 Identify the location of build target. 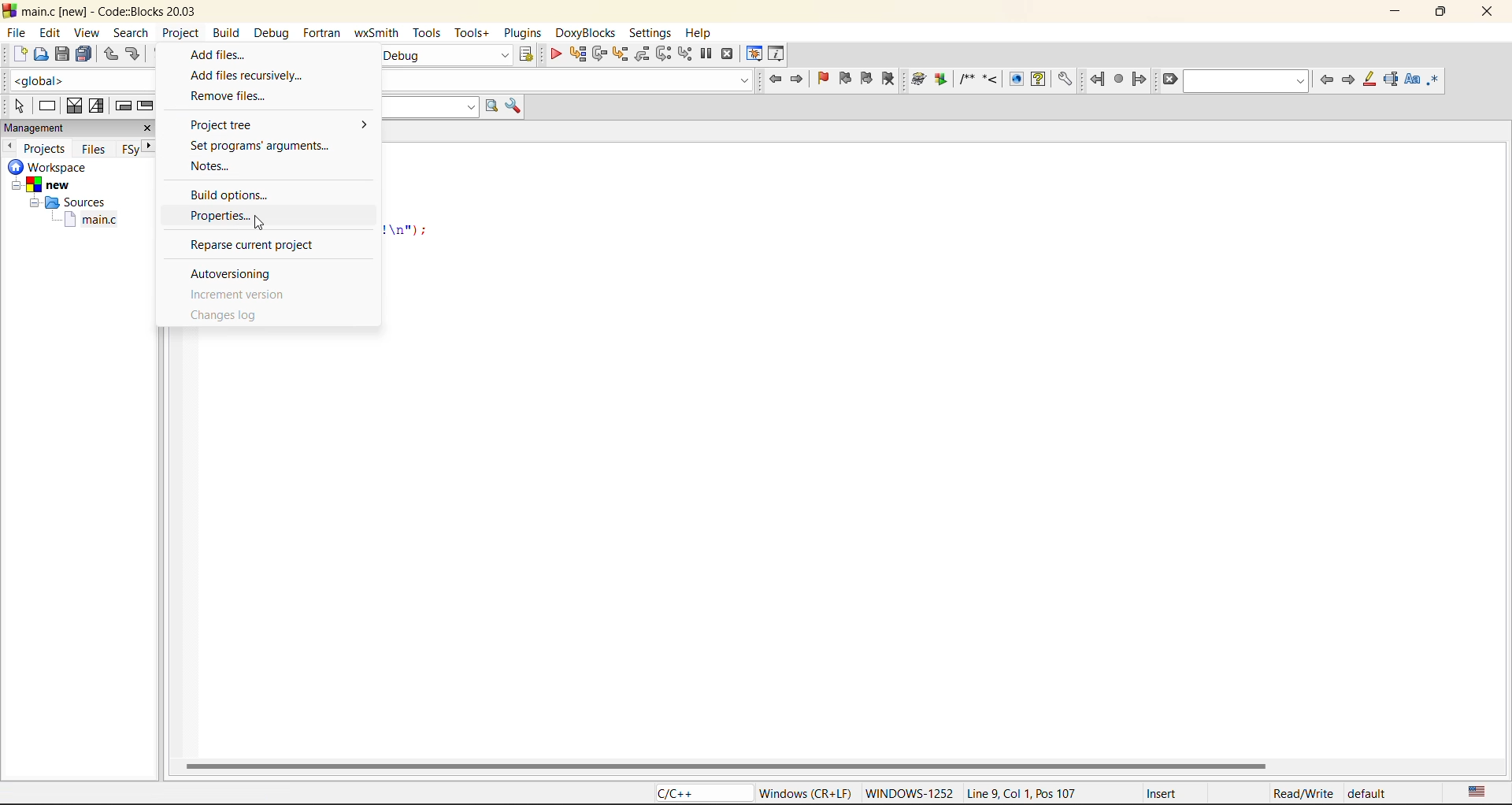
(443, 55).